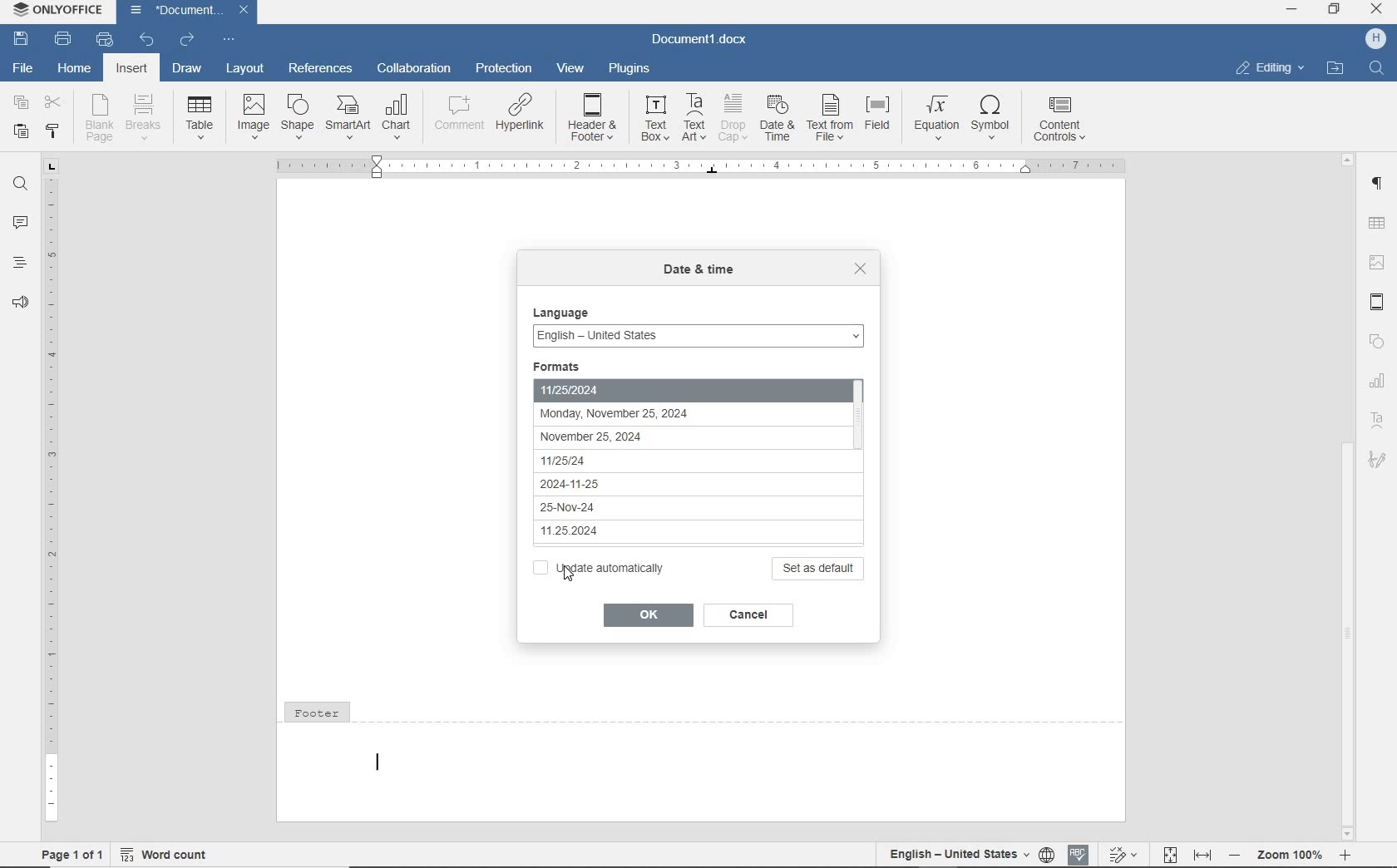 This screenshot has height=868, width=1397. I want to click on image, so click(1378, 259).